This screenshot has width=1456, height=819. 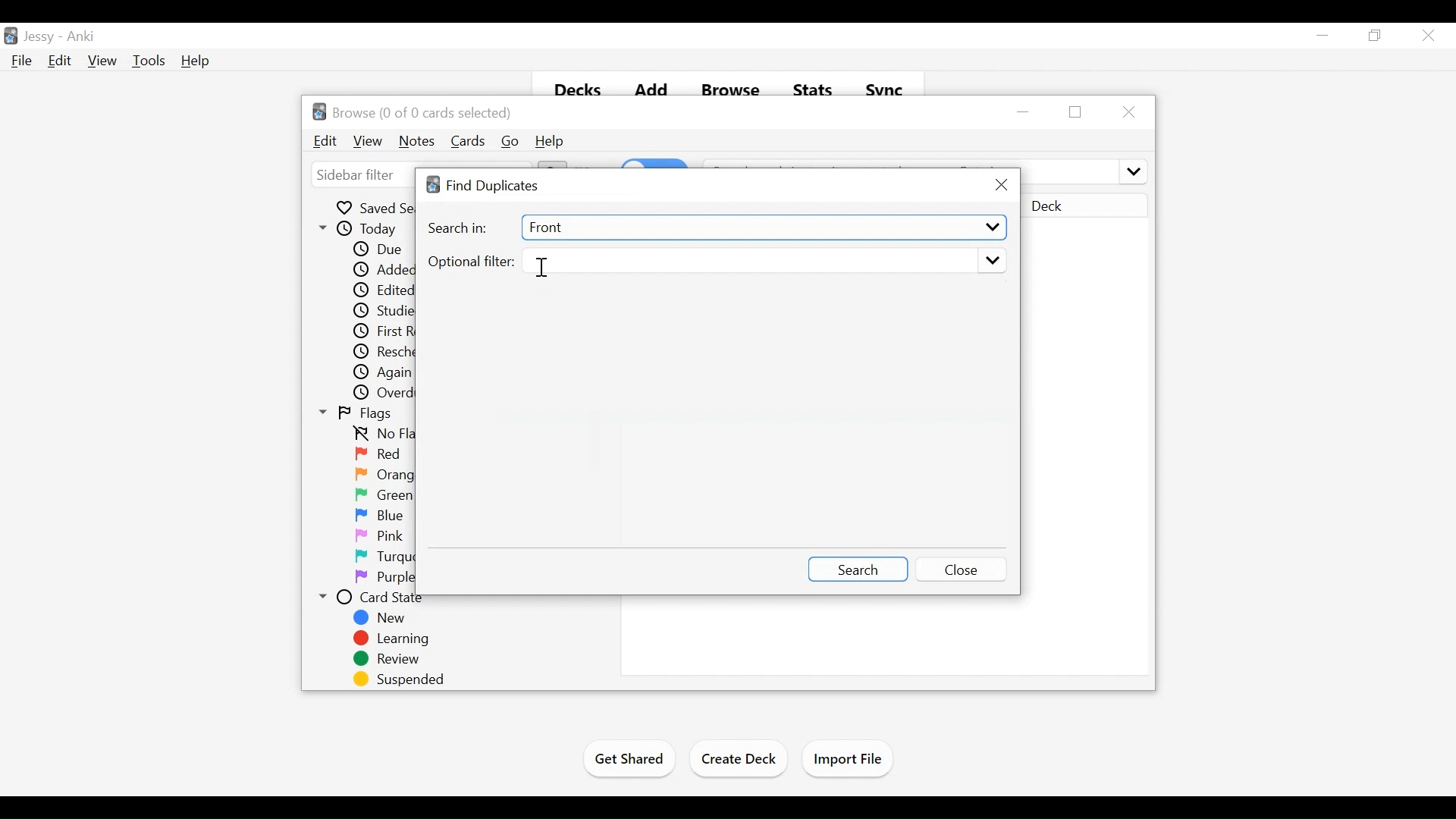 What do you see at coordinates (386, 660) in the screenshot?
I see `Review` at bounding box center [386, 660].